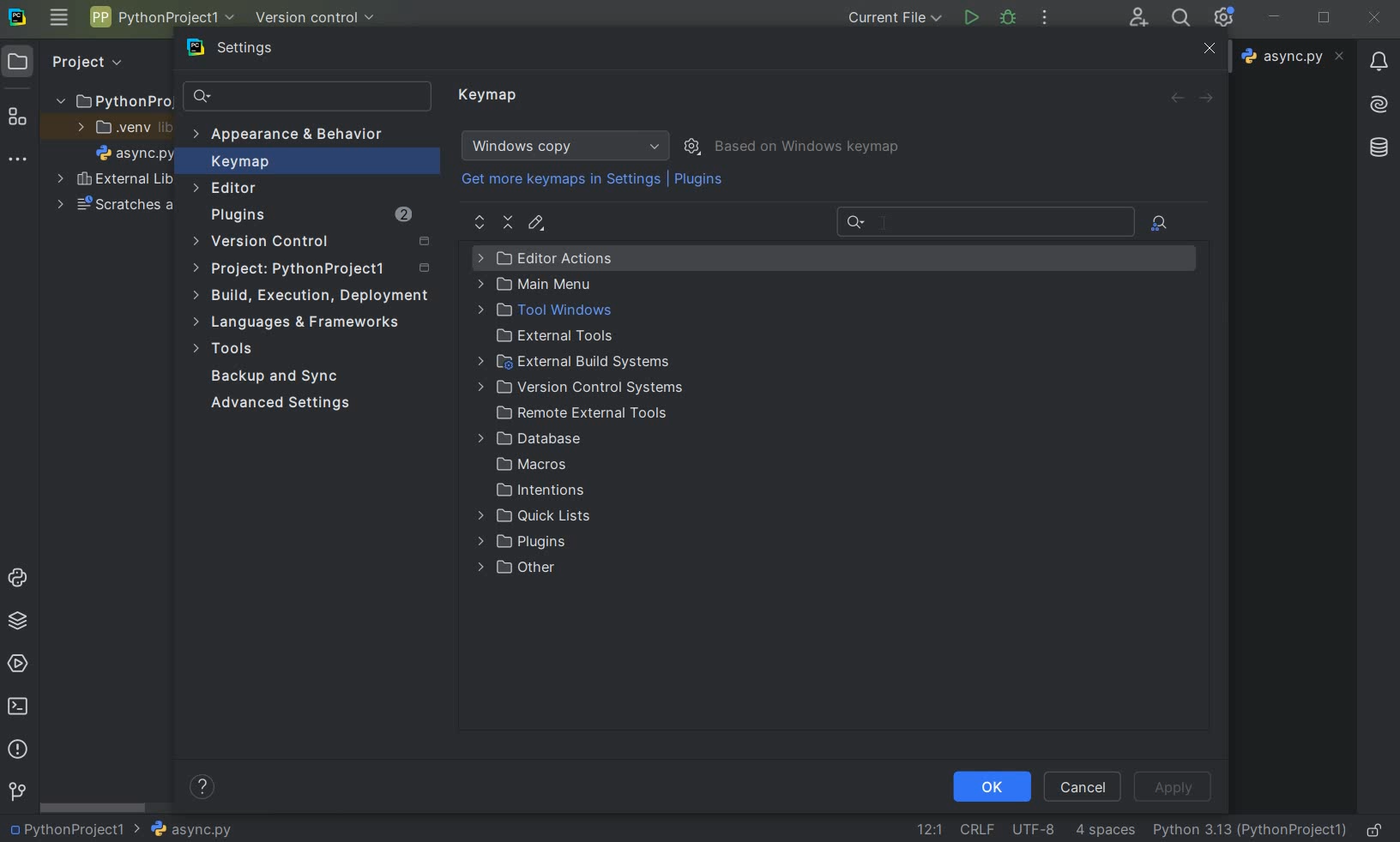 This screenshot has width=1400, height=842. I want to click on external tools, so click(542, 335).